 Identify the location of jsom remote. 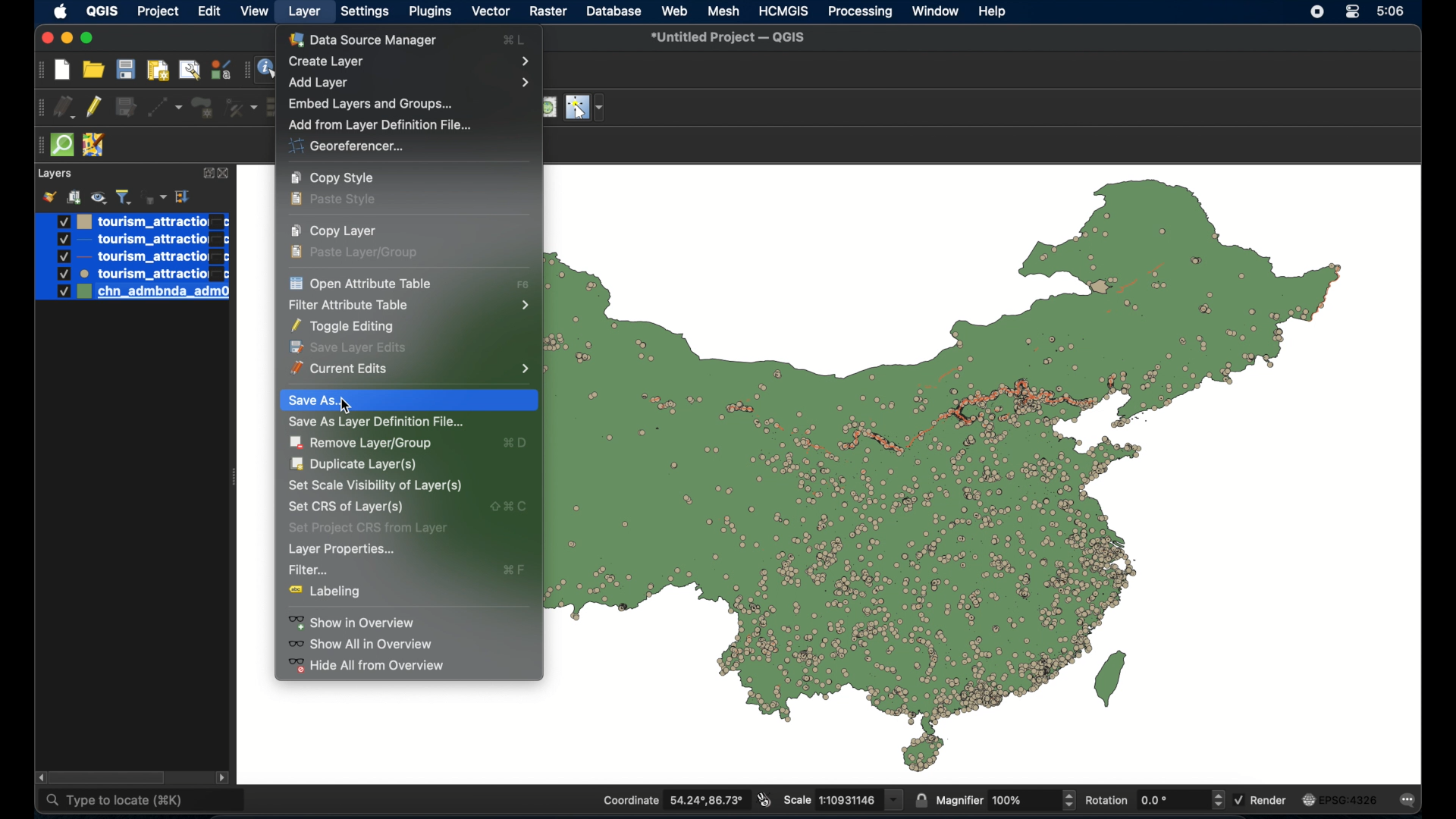
(95, 146).